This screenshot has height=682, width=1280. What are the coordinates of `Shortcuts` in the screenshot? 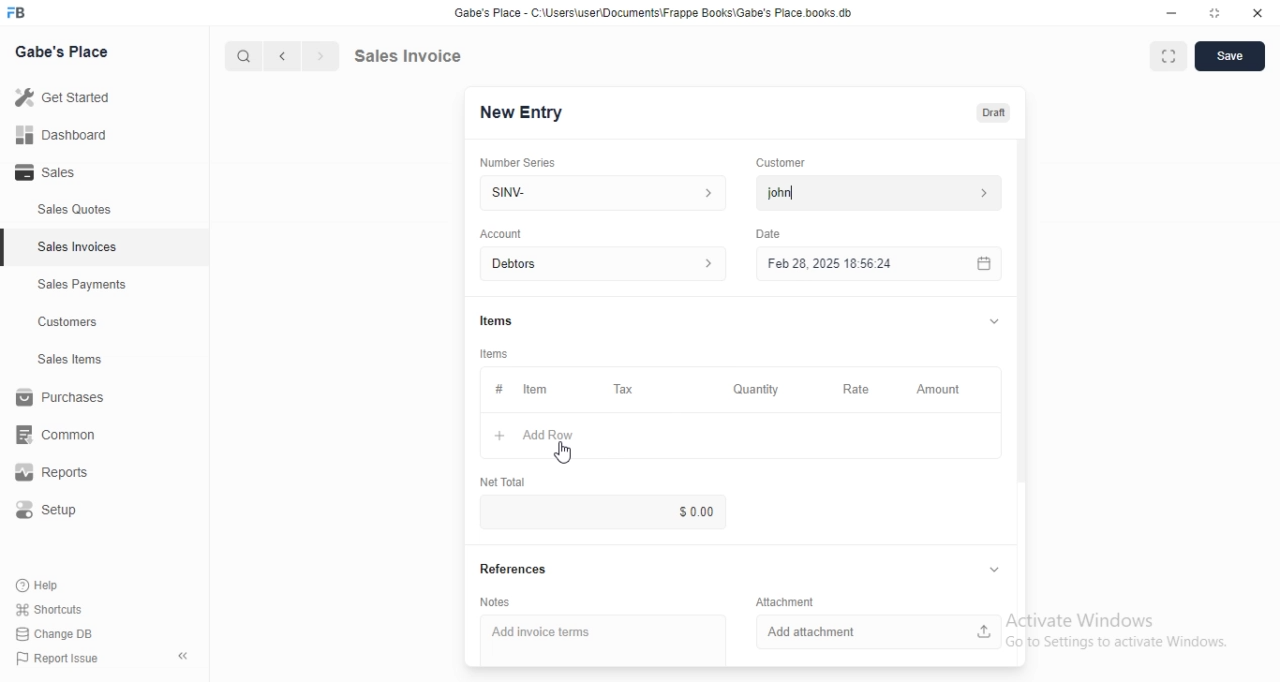 It's located at (61, 608).